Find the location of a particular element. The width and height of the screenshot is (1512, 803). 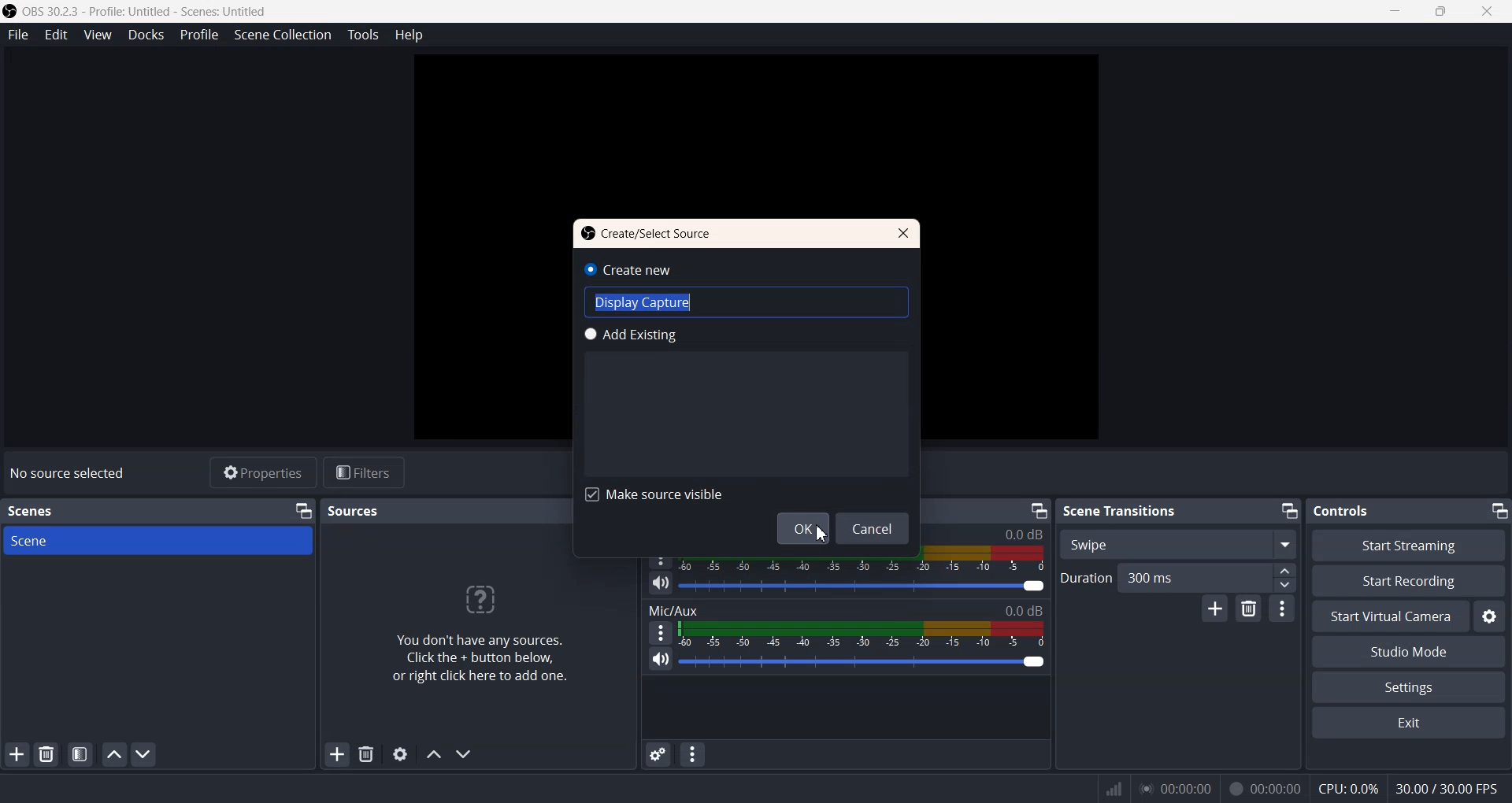

Open source Properties is located at coordinates (400, 753).